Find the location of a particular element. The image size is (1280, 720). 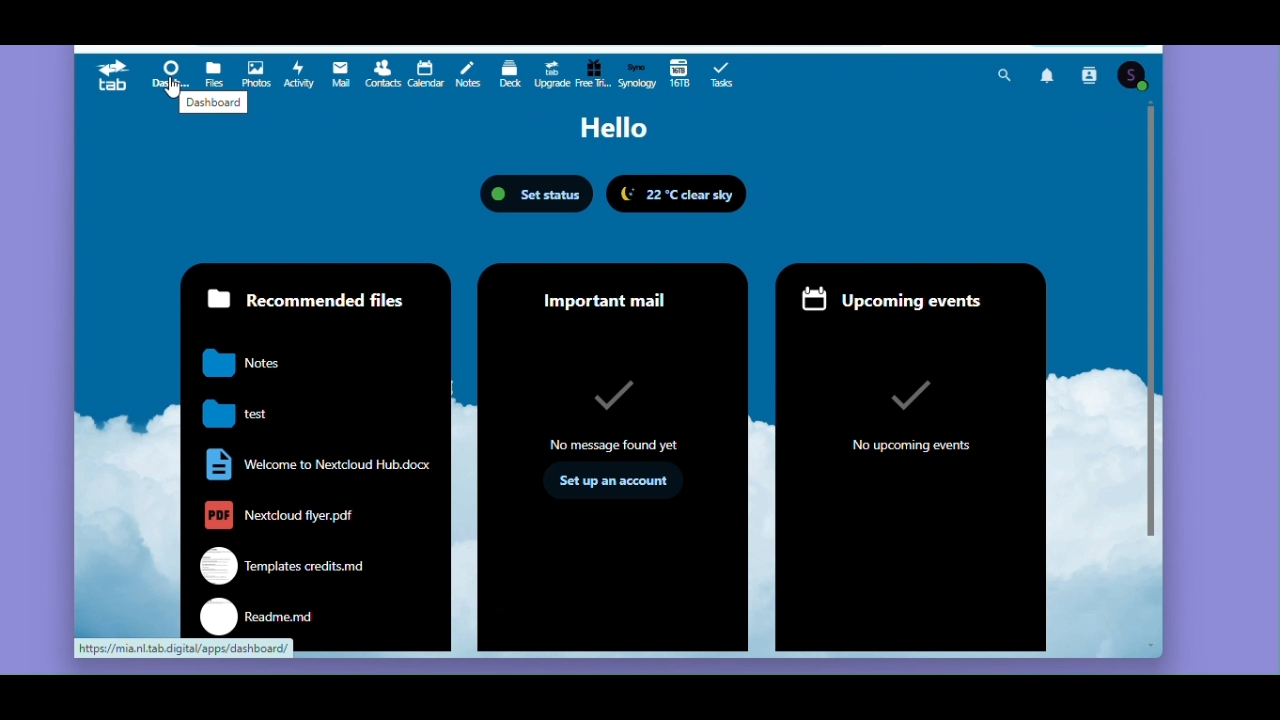

Important mail  is located at coordinates (613, 457).